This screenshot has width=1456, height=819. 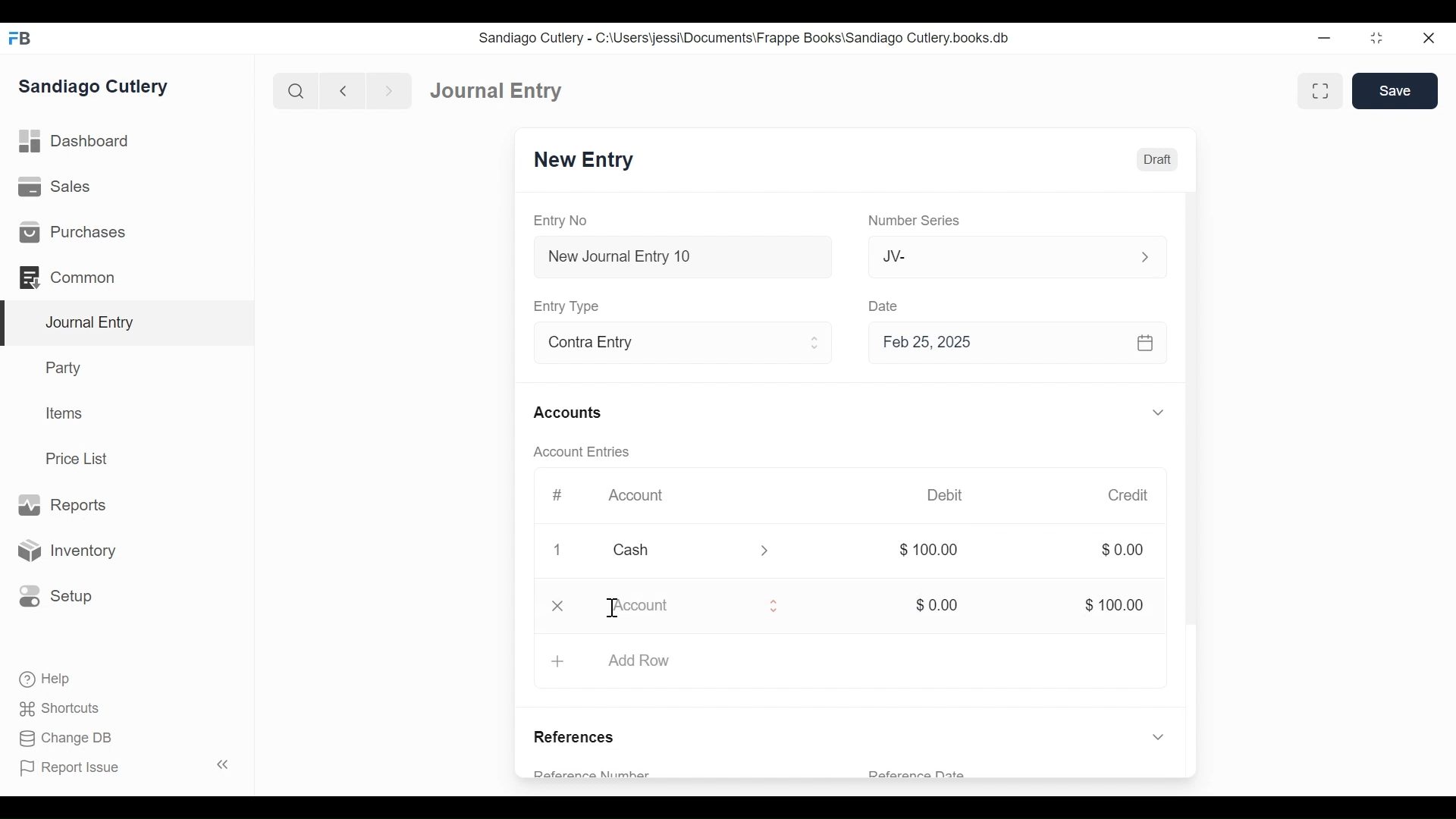 I want to click on Expand, so click(x=1158, y=737).